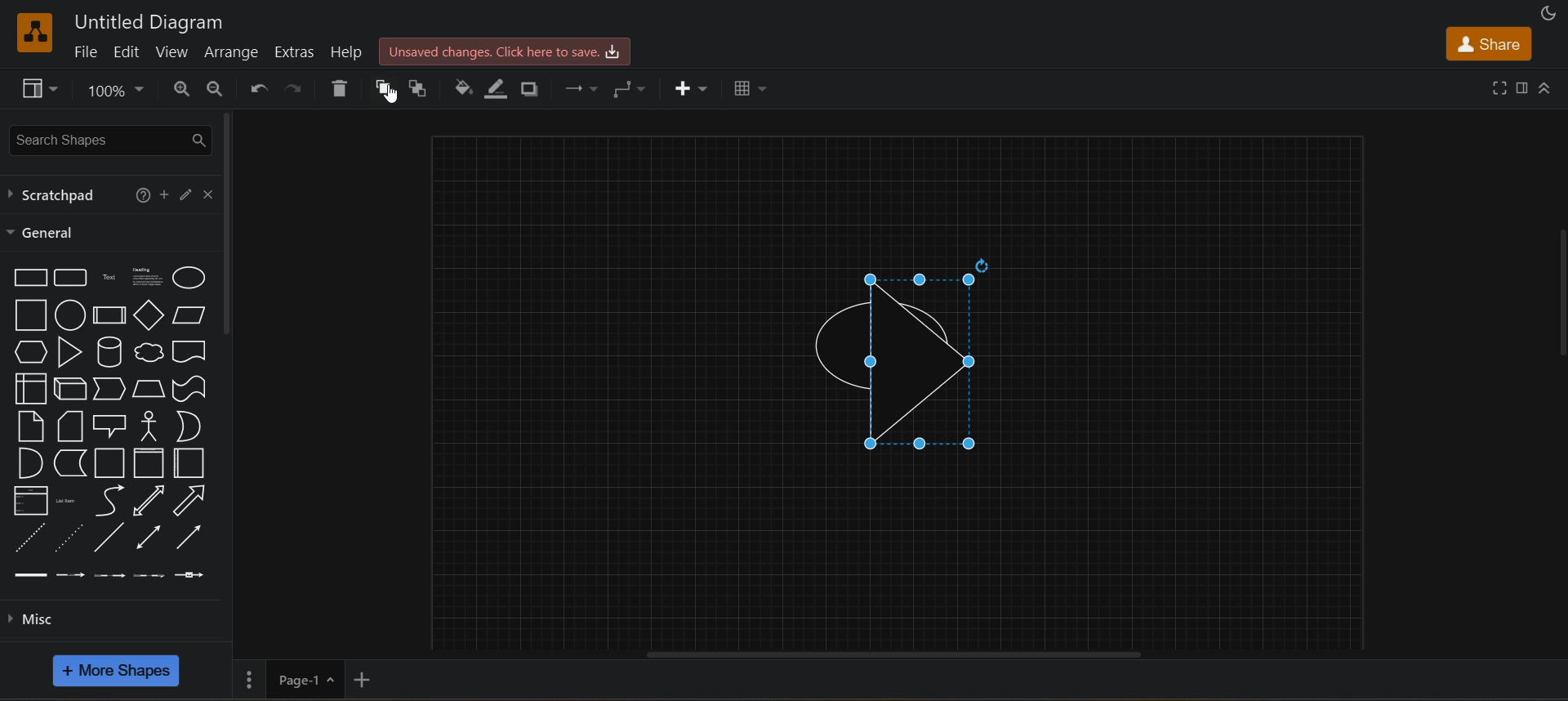  I want to click on edit, so click(124, 52).